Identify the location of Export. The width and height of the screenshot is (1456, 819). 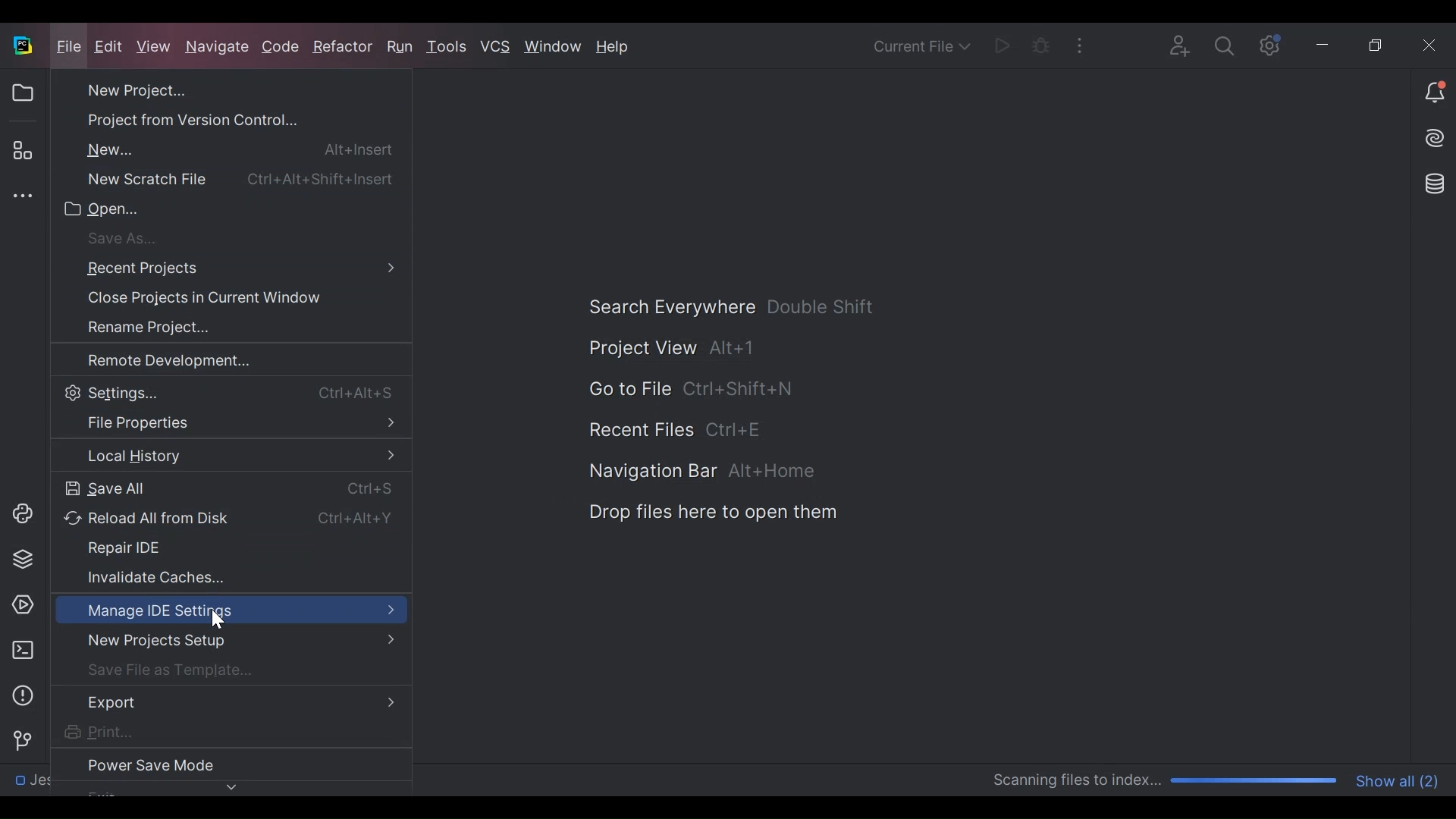
(229, 703).